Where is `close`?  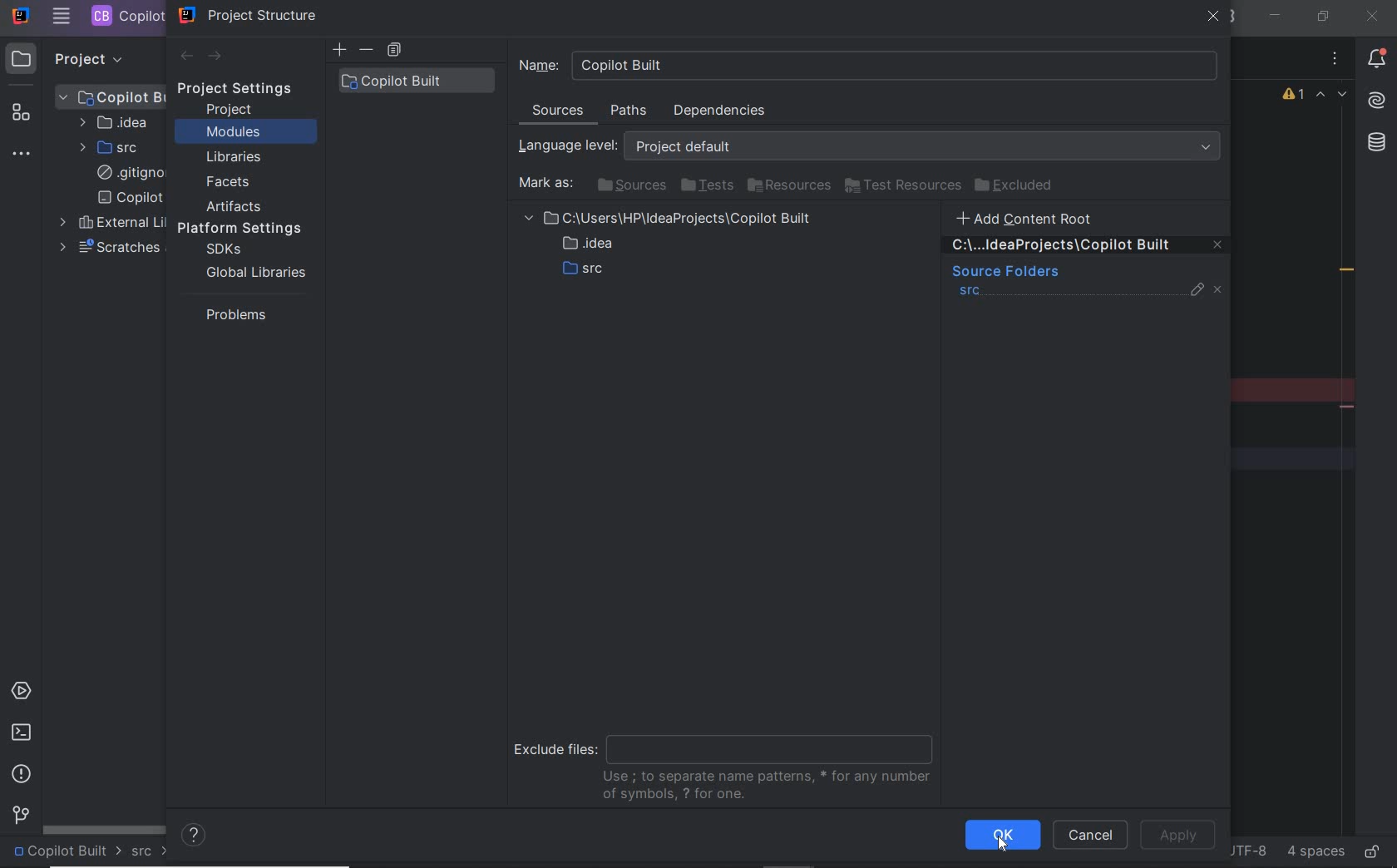 close is located at coordinates (1214, 18).